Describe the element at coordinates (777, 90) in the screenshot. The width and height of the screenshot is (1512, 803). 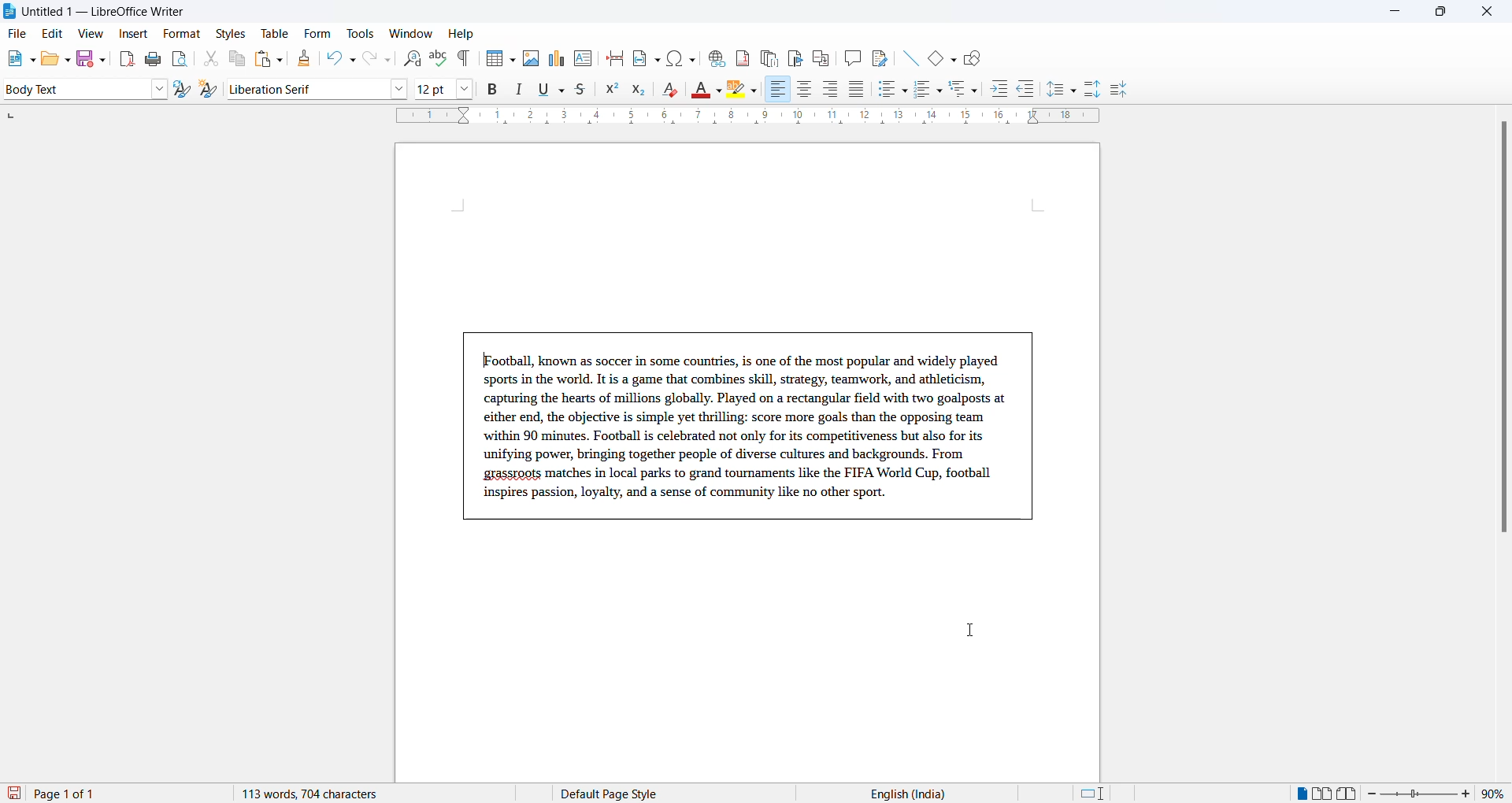
I see `text align right` at that location.